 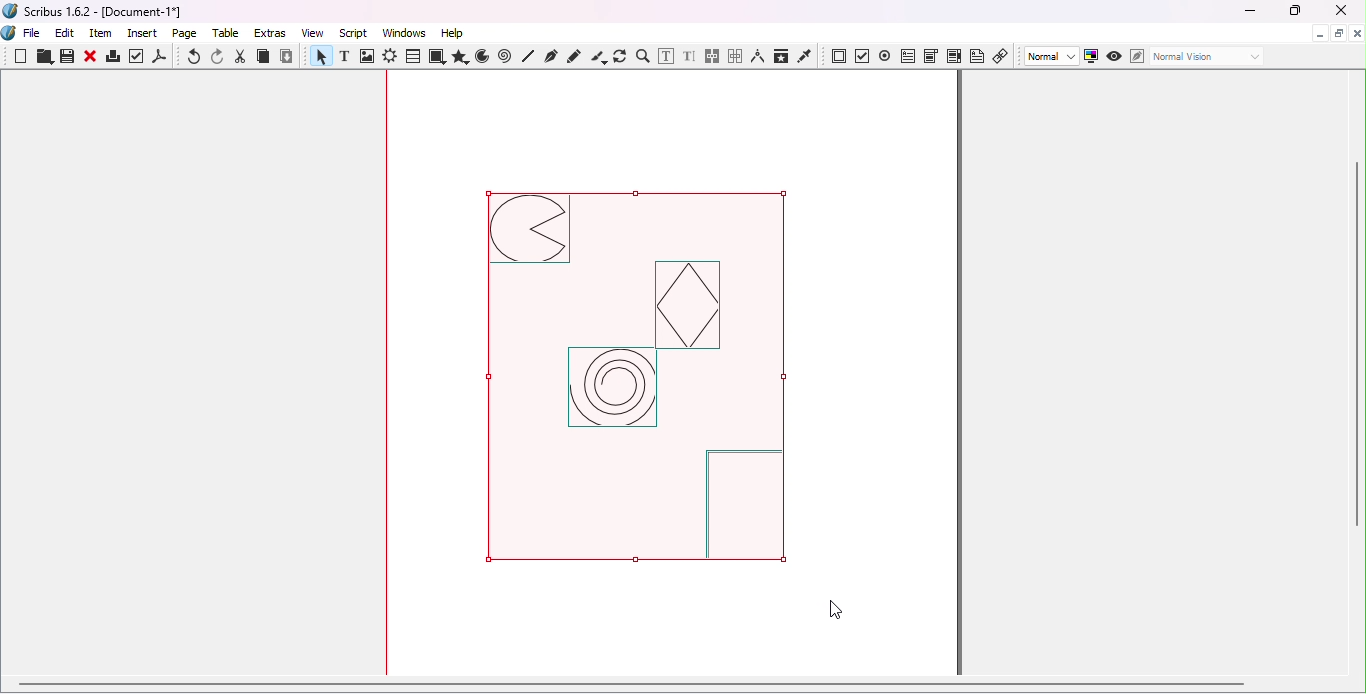 I want to click on Insert, so click(x=145, y=31).